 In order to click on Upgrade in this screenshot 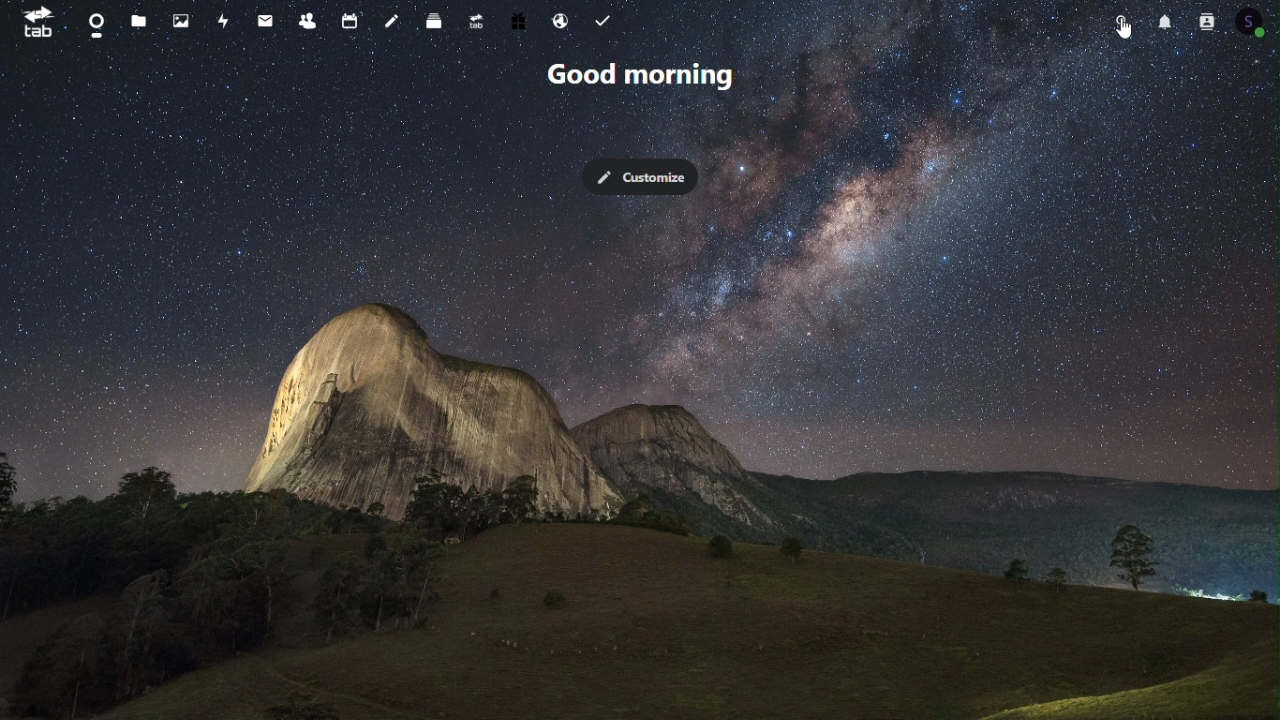, I will do `click(474, 15)`.